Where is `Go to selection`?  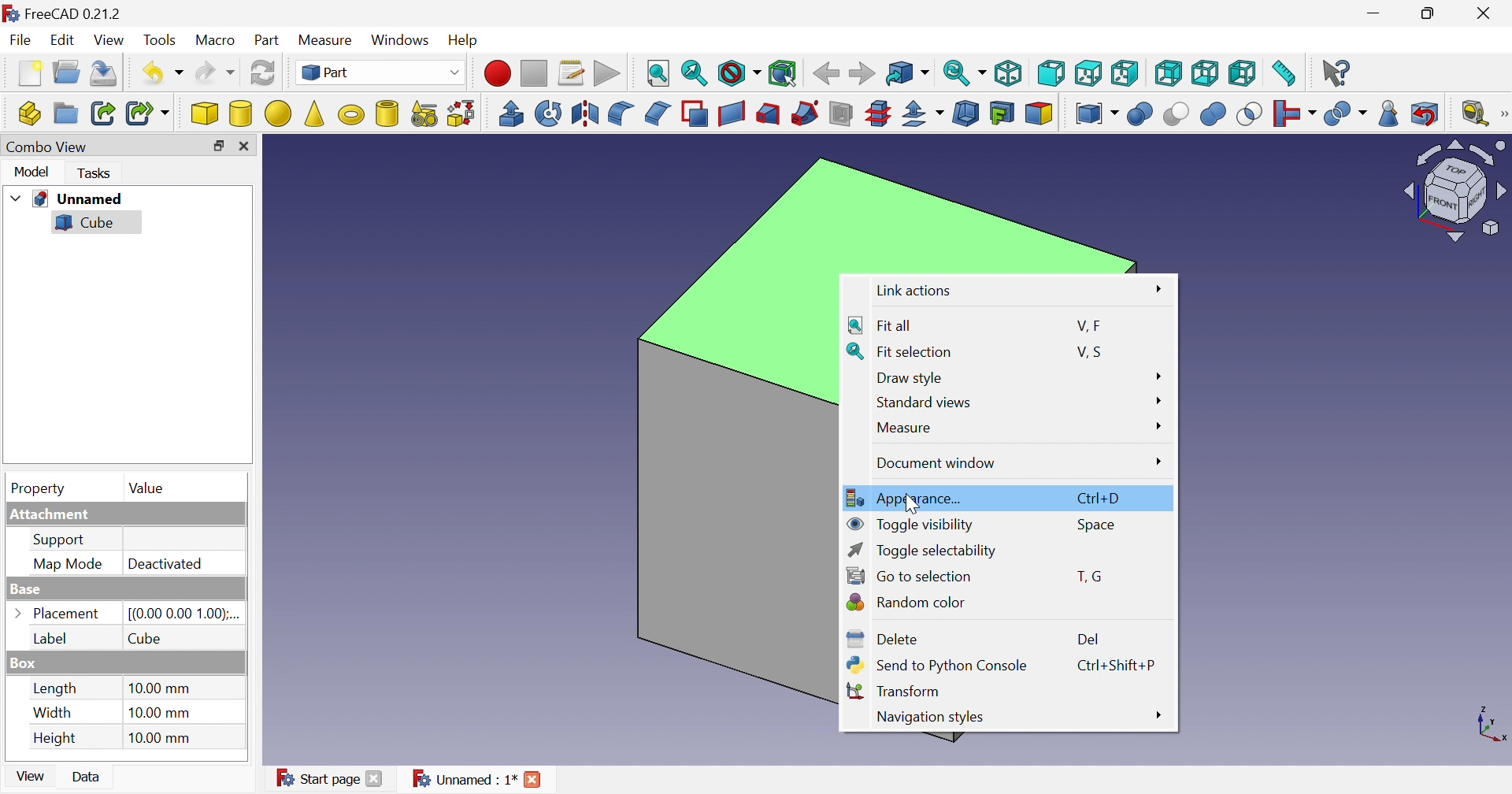
Go to selection is located at coordinates (908, 573).